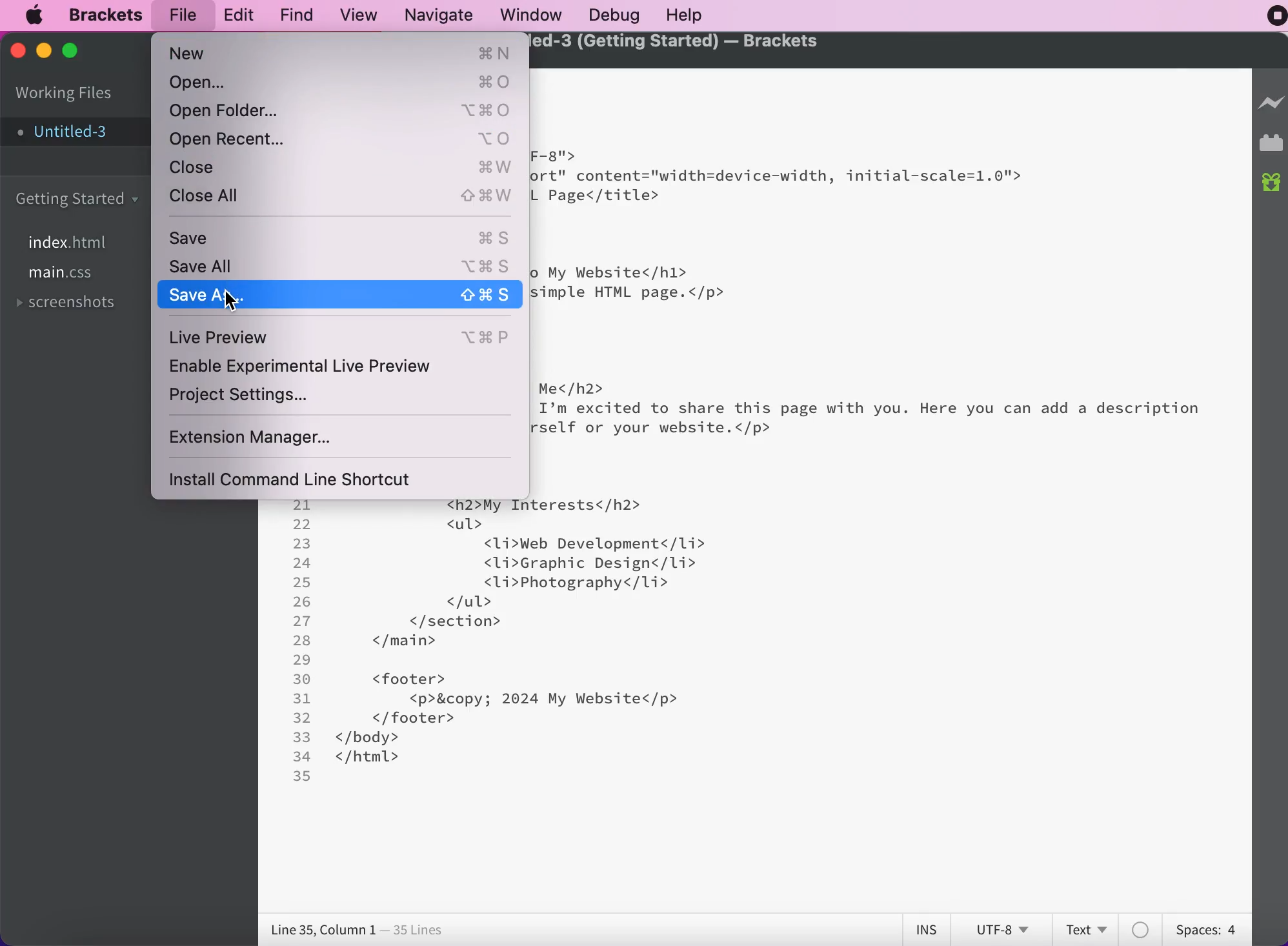 The image size is (1288, 946). What do you see at coordinates (37, 16) in the screenshot?
I see `mac logo` at bounding box center [37, 16].